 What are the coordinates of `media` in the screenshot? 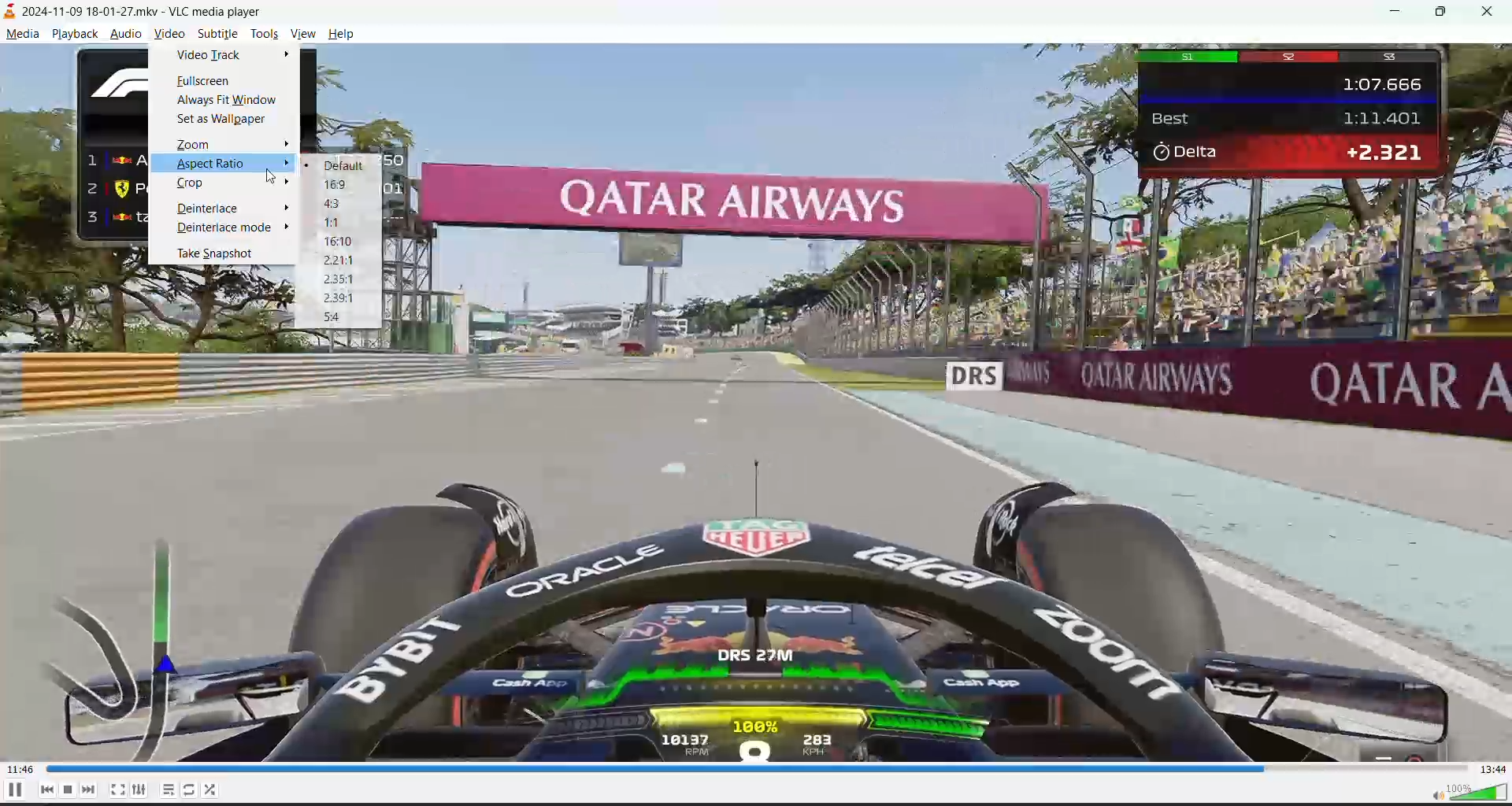 It's located at (22, 35).